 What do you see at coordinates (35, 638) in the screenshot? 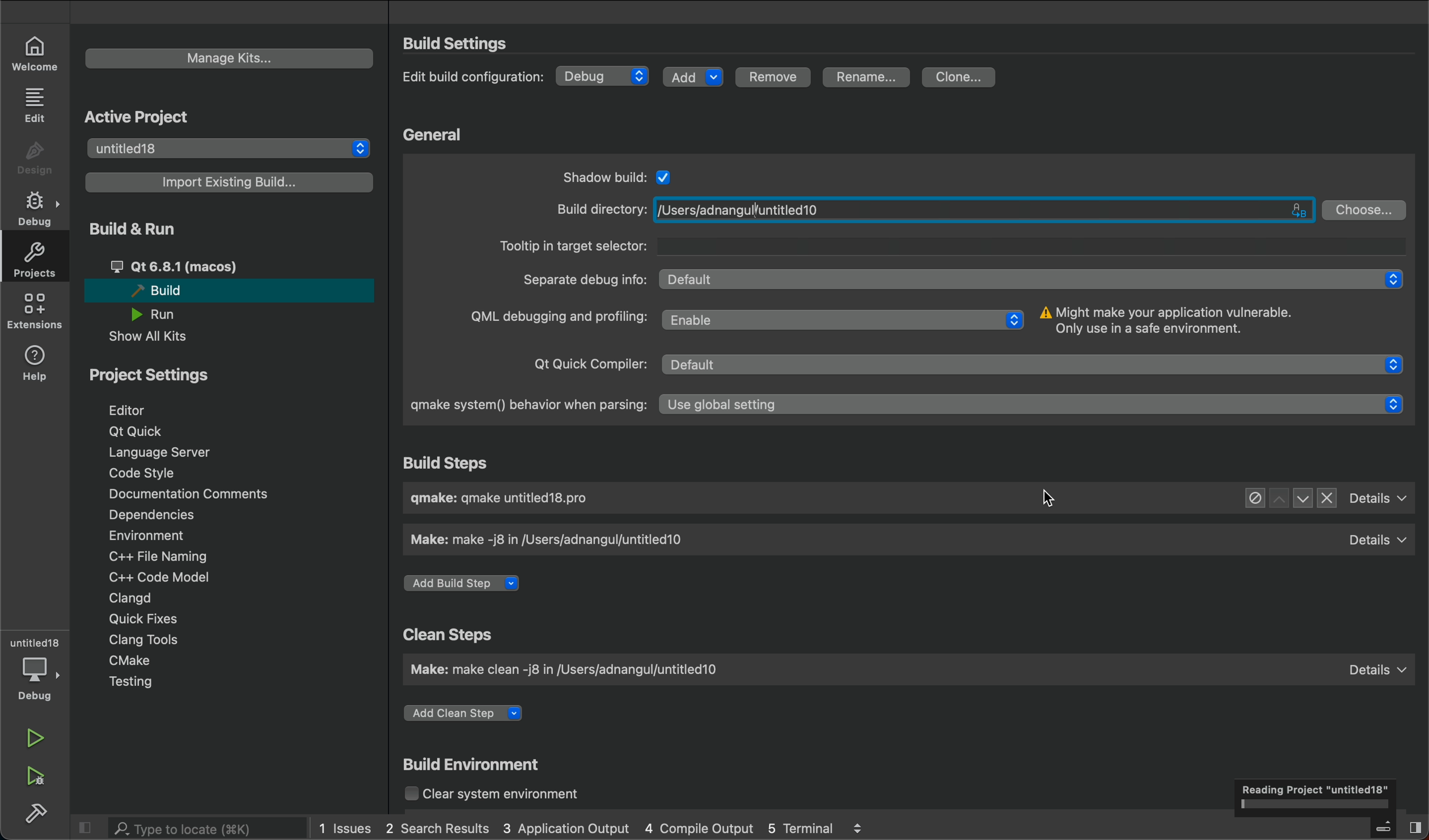
I see `untitled` at bounding box center [35, 638].